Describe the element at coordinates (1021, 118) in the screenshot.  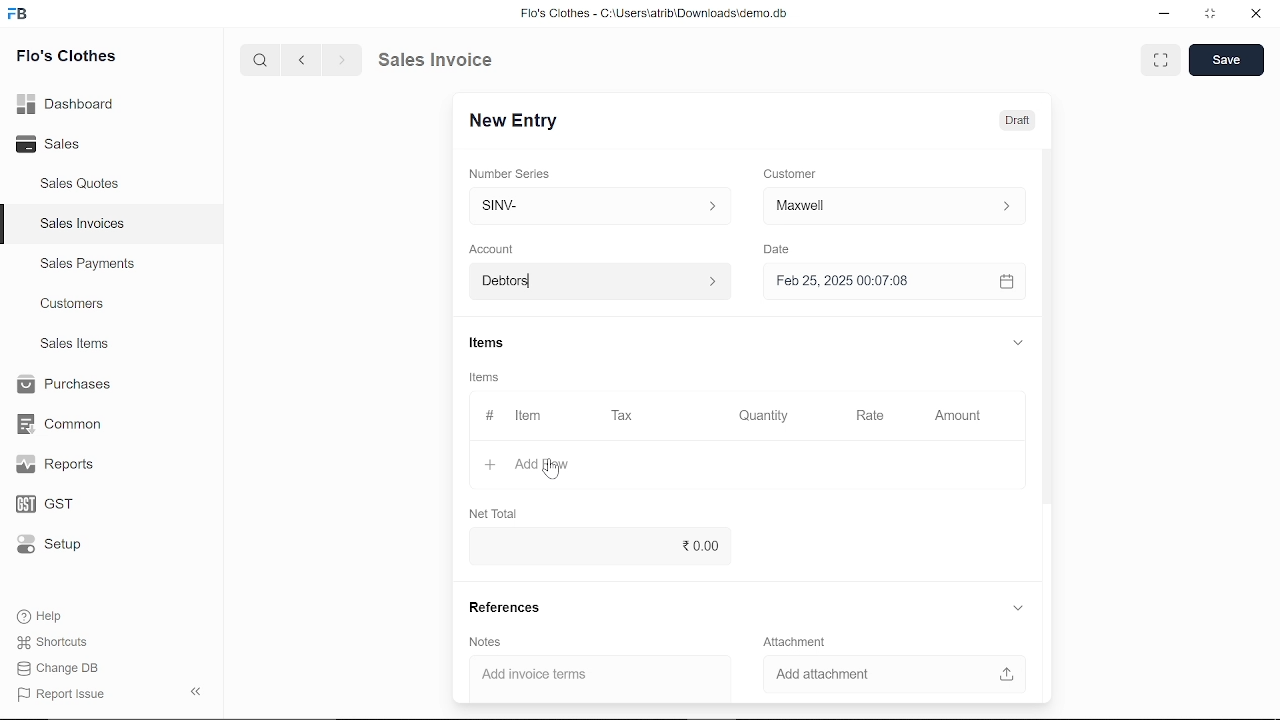
I see `Draft` at that location.